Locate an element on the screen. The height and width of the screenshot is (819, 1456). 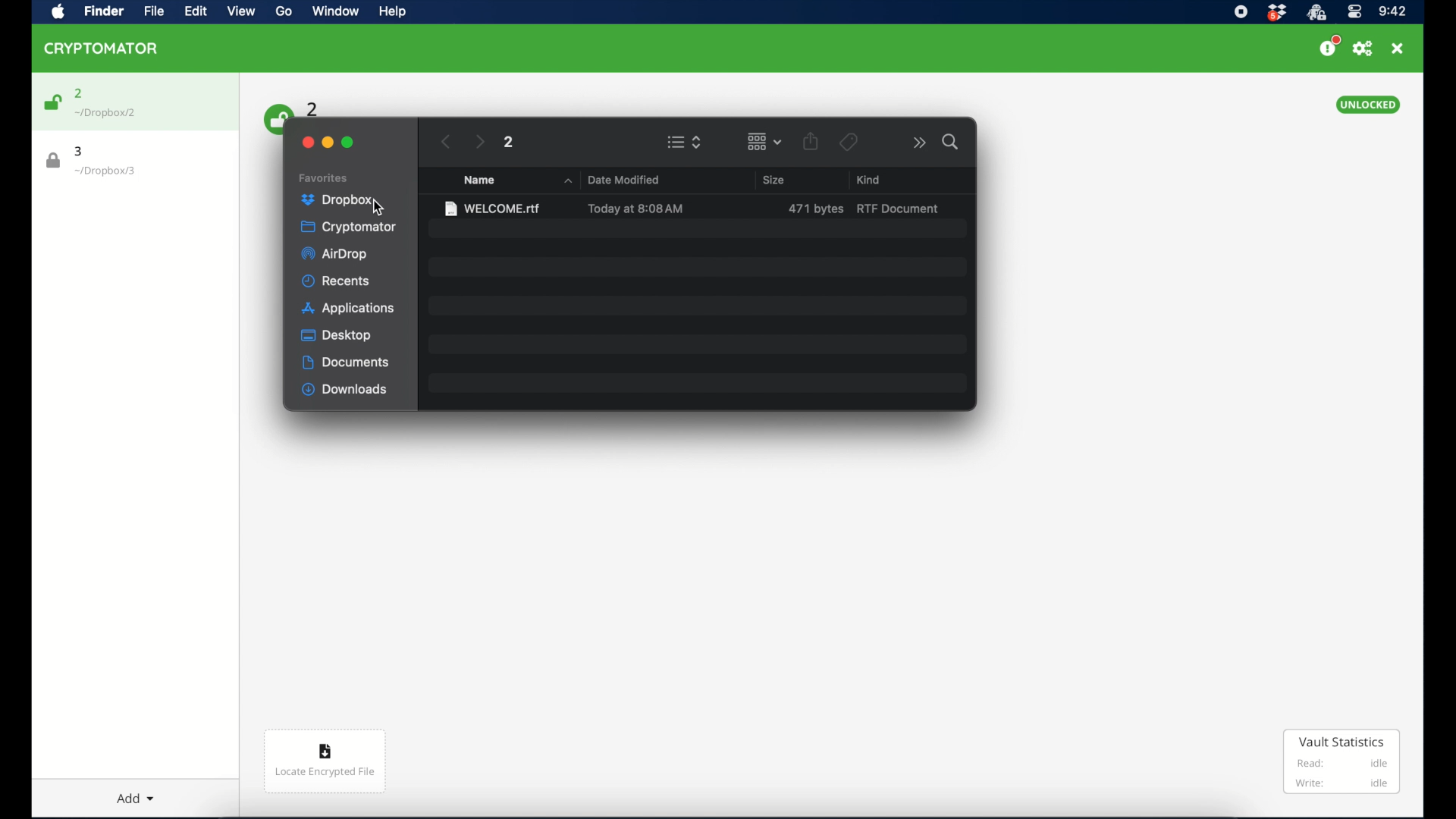
finder is located at coordinates (102, 11).